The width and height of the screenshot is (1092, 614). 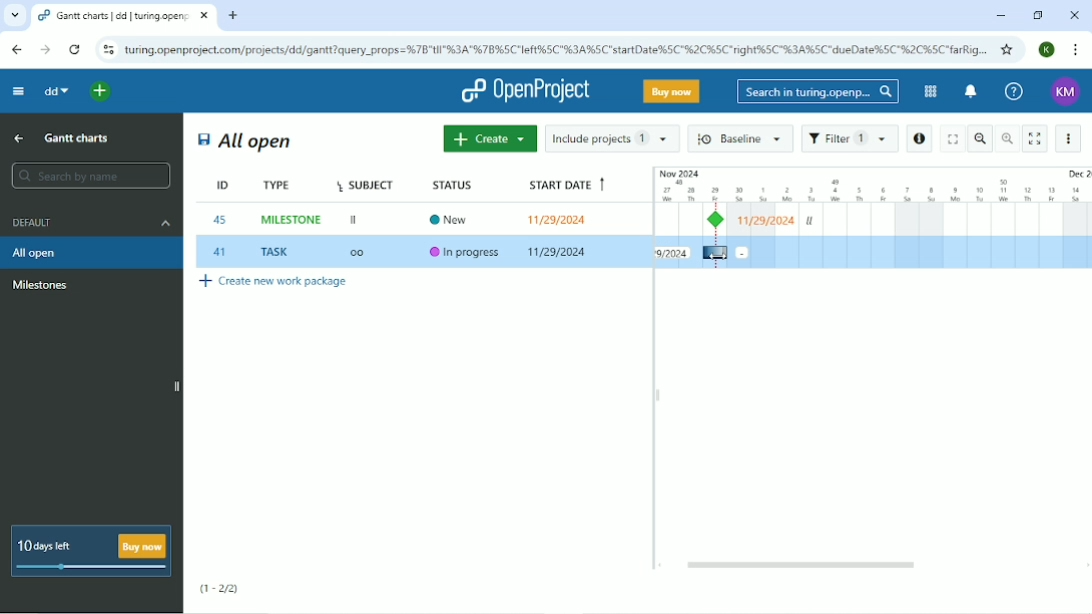 What do you see at coordinates (89, 222) in the screenshot?
I see `Default` at bounding box center [89, 222].